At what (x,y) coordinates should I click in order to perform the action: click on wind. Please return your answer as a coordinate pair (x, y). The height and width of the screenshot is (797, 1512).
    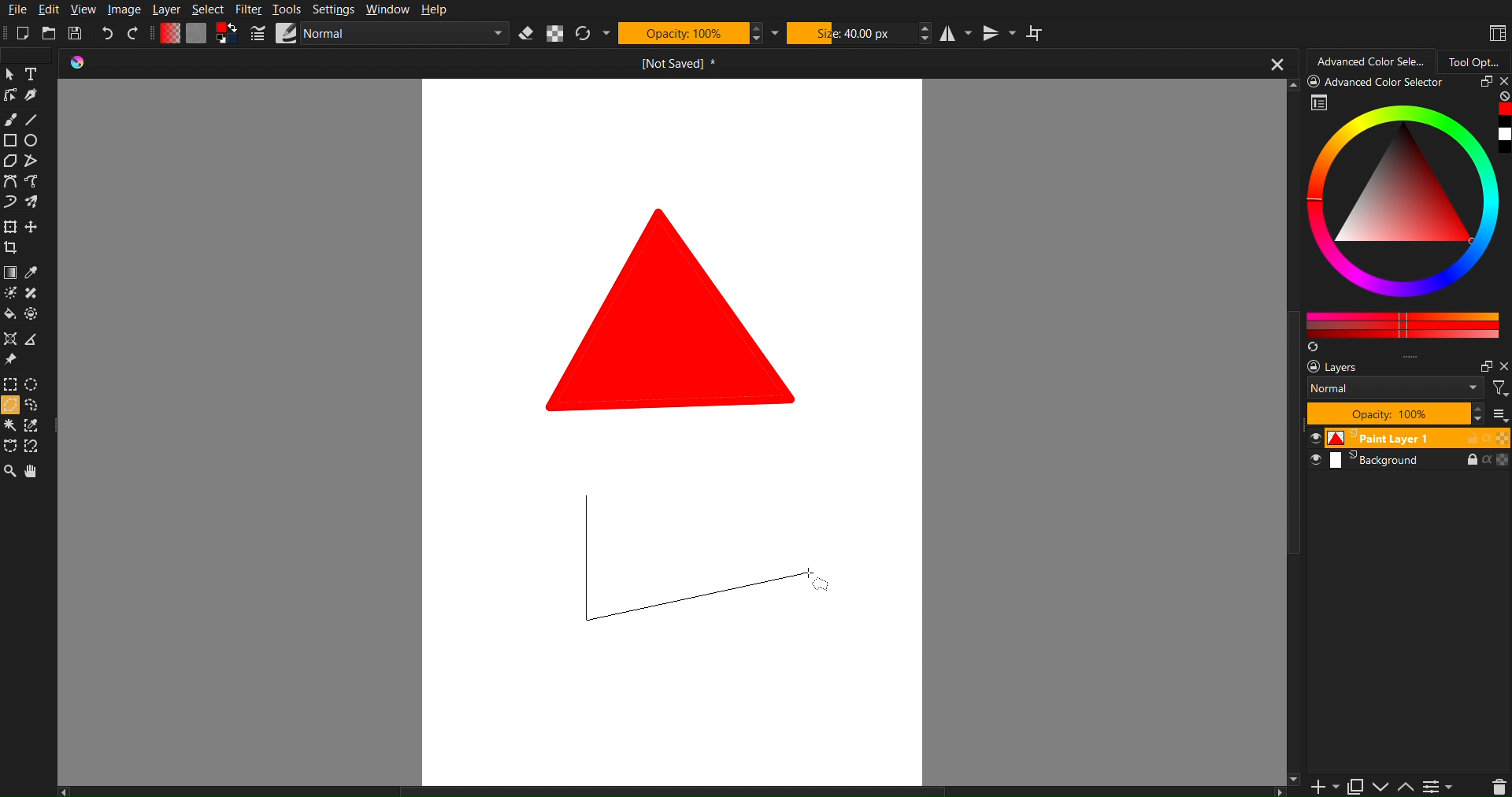
    Looking at the image, I should click on (9, 428).